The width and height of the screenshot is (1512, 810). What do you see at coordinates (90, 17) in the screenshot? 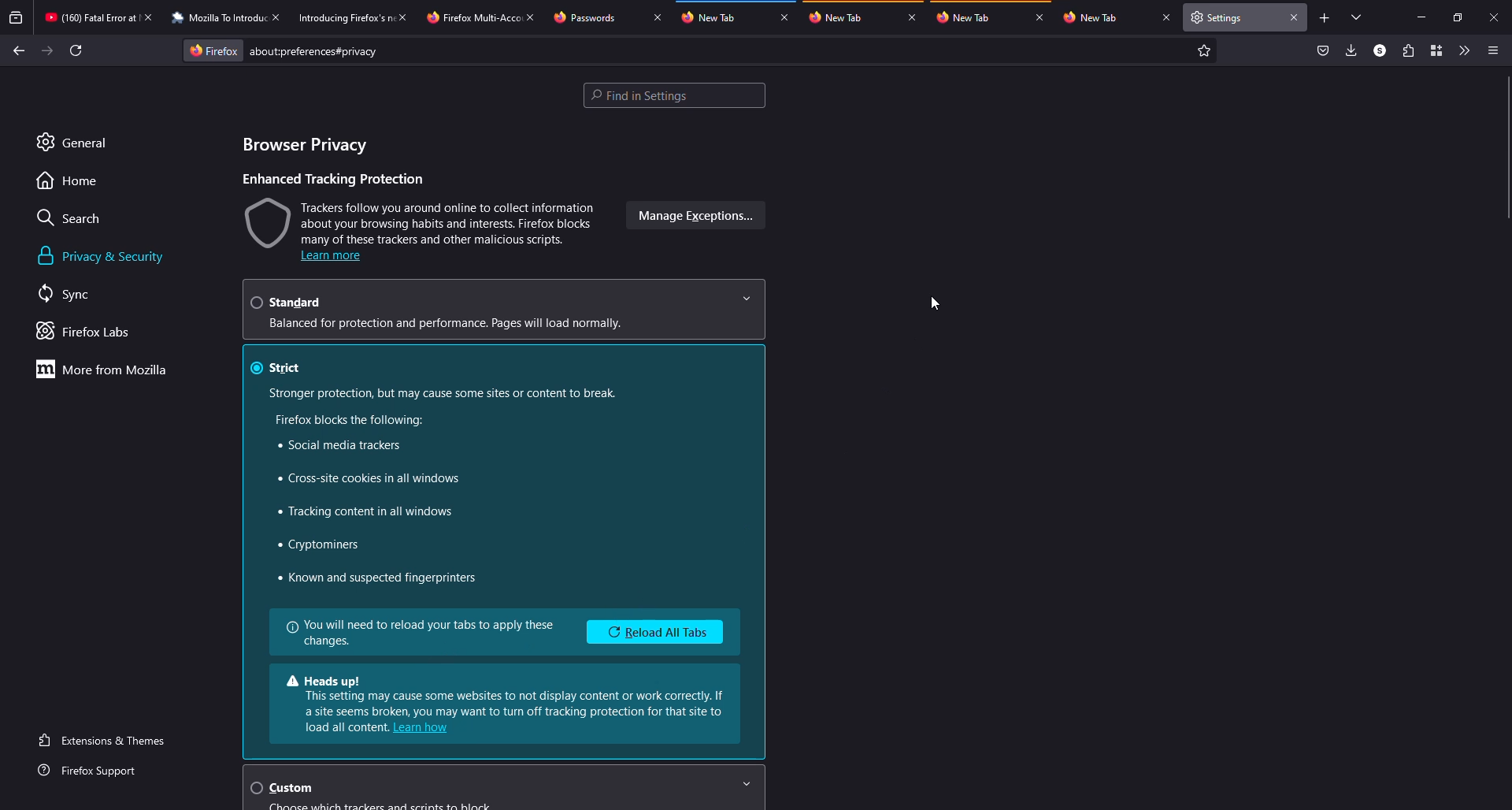
I see `tab` at bounding box center [90, 17].